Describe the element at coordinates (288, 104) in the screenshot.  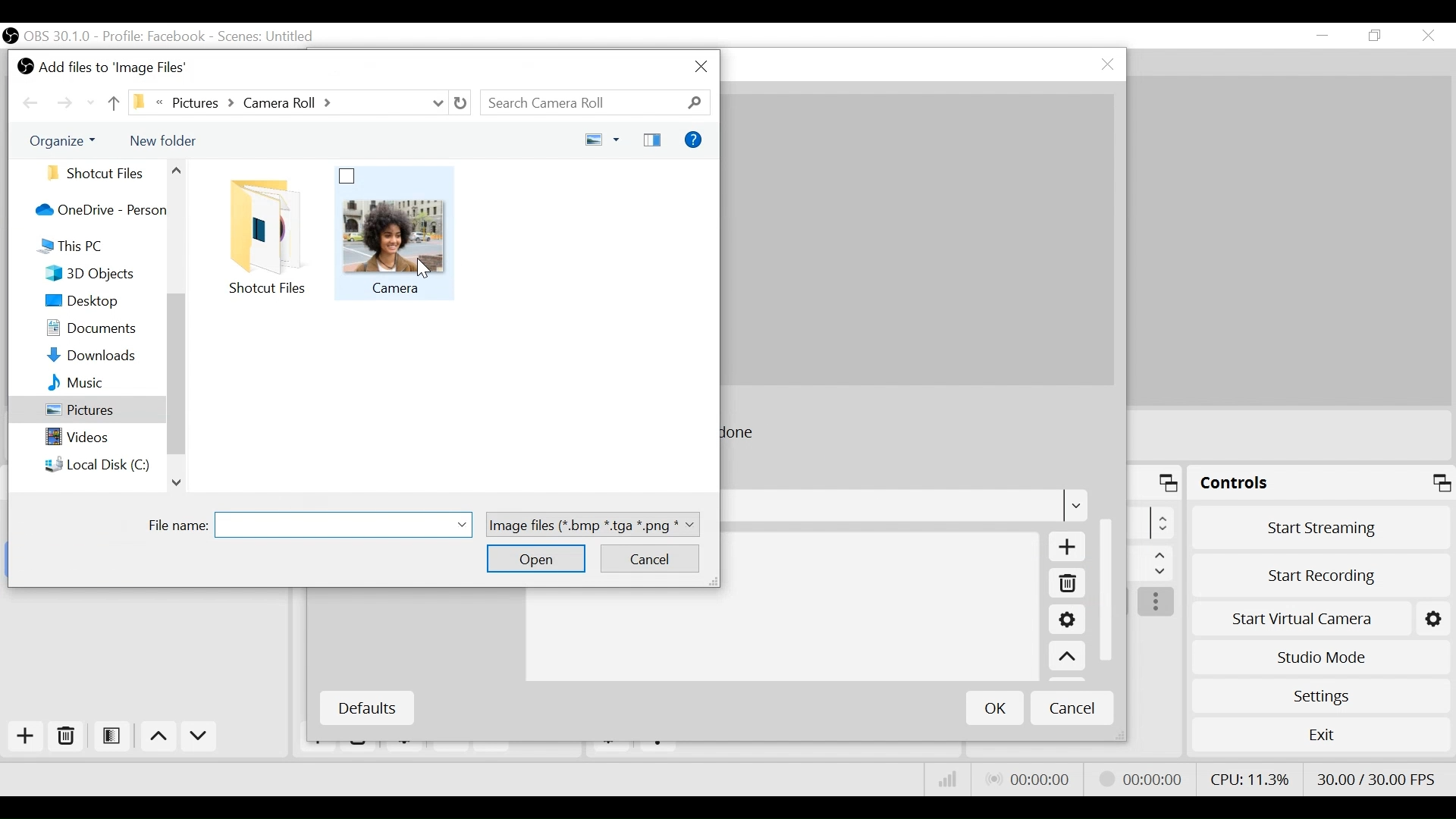
I see `File Path` at that location.